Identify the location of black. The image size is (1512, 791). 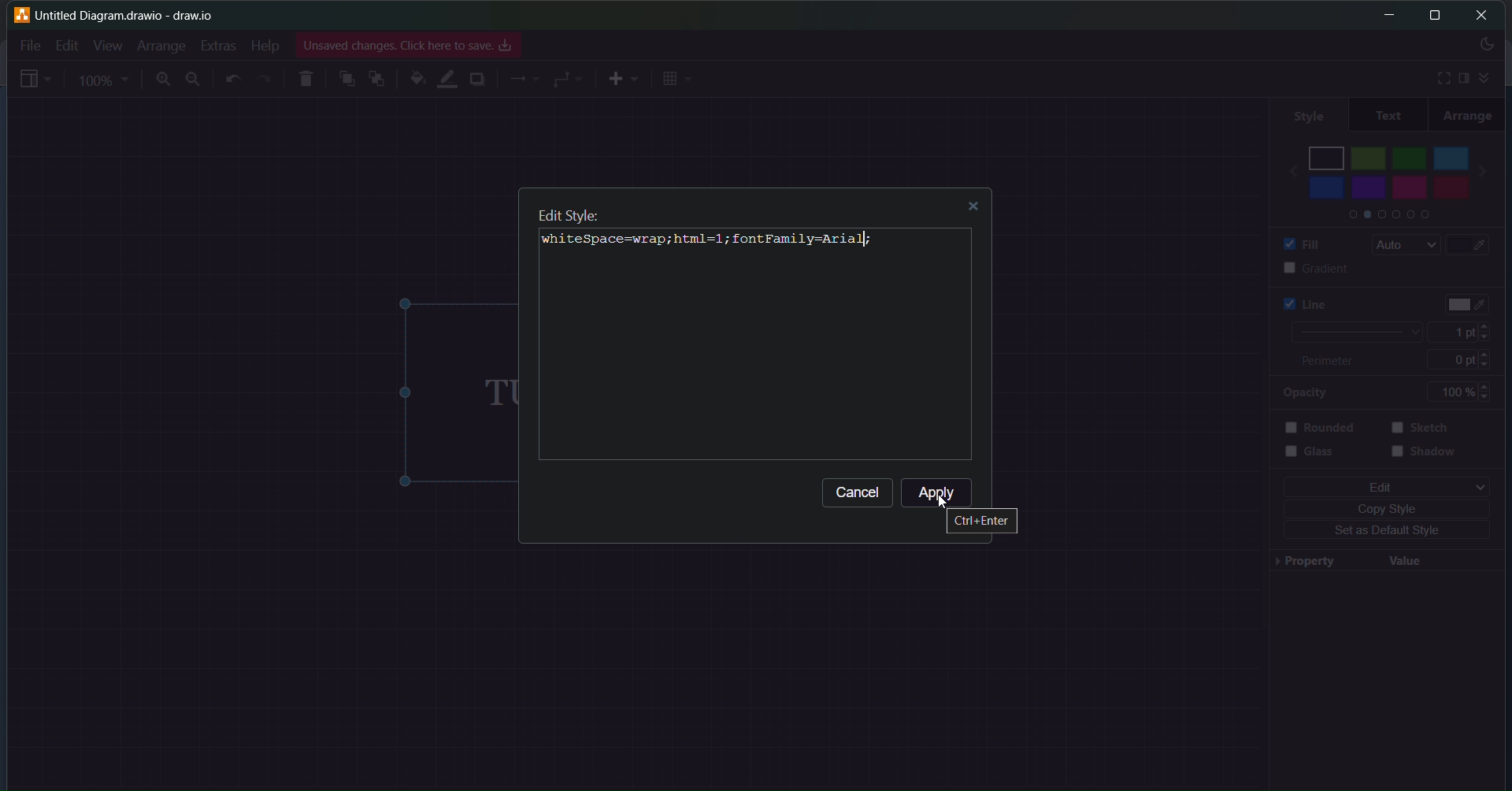
(1327, 155).